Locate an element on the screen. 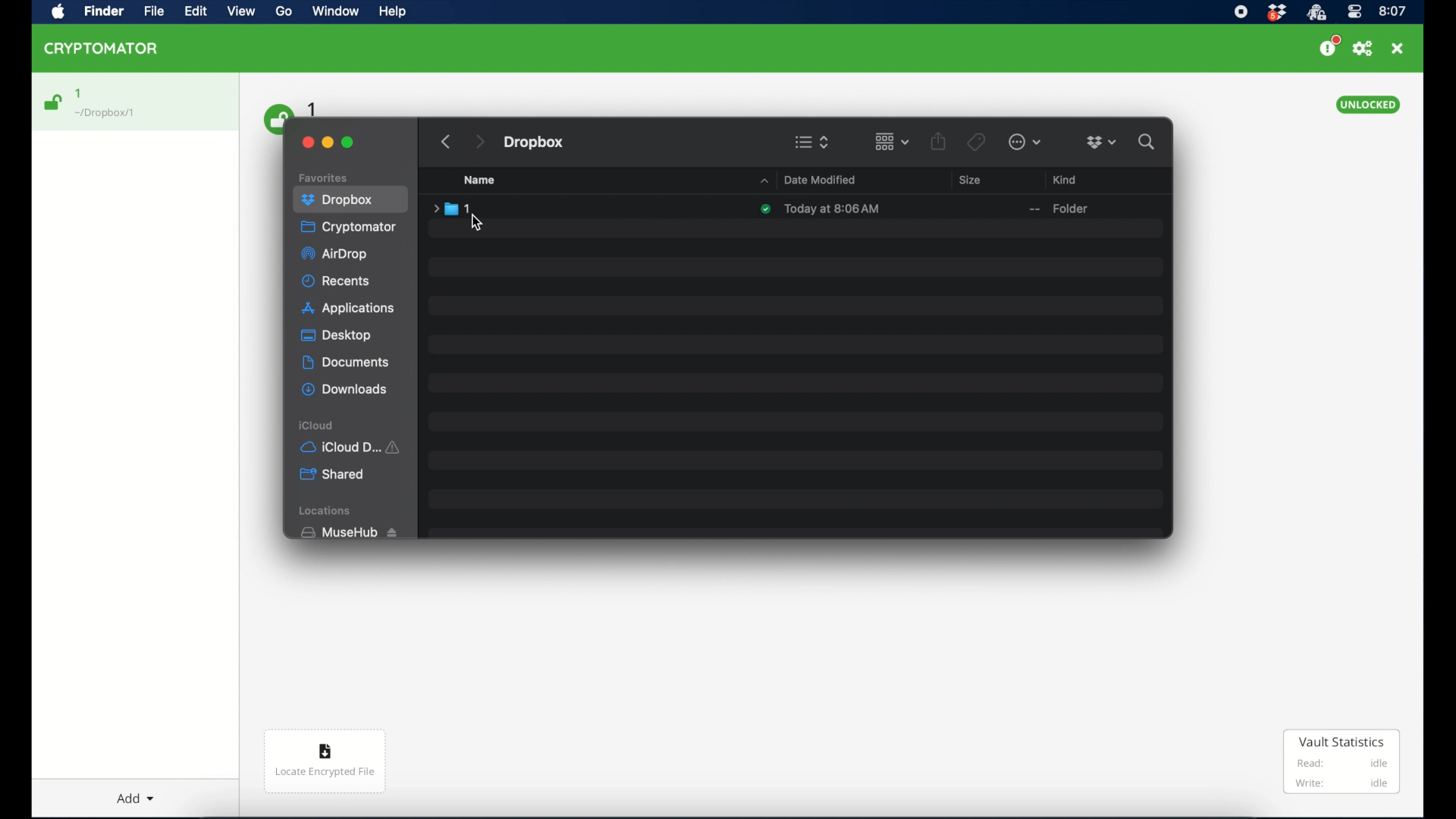 This screenshot has height=819, width=1456. Add dropdown is located at coordinates (139, 792).